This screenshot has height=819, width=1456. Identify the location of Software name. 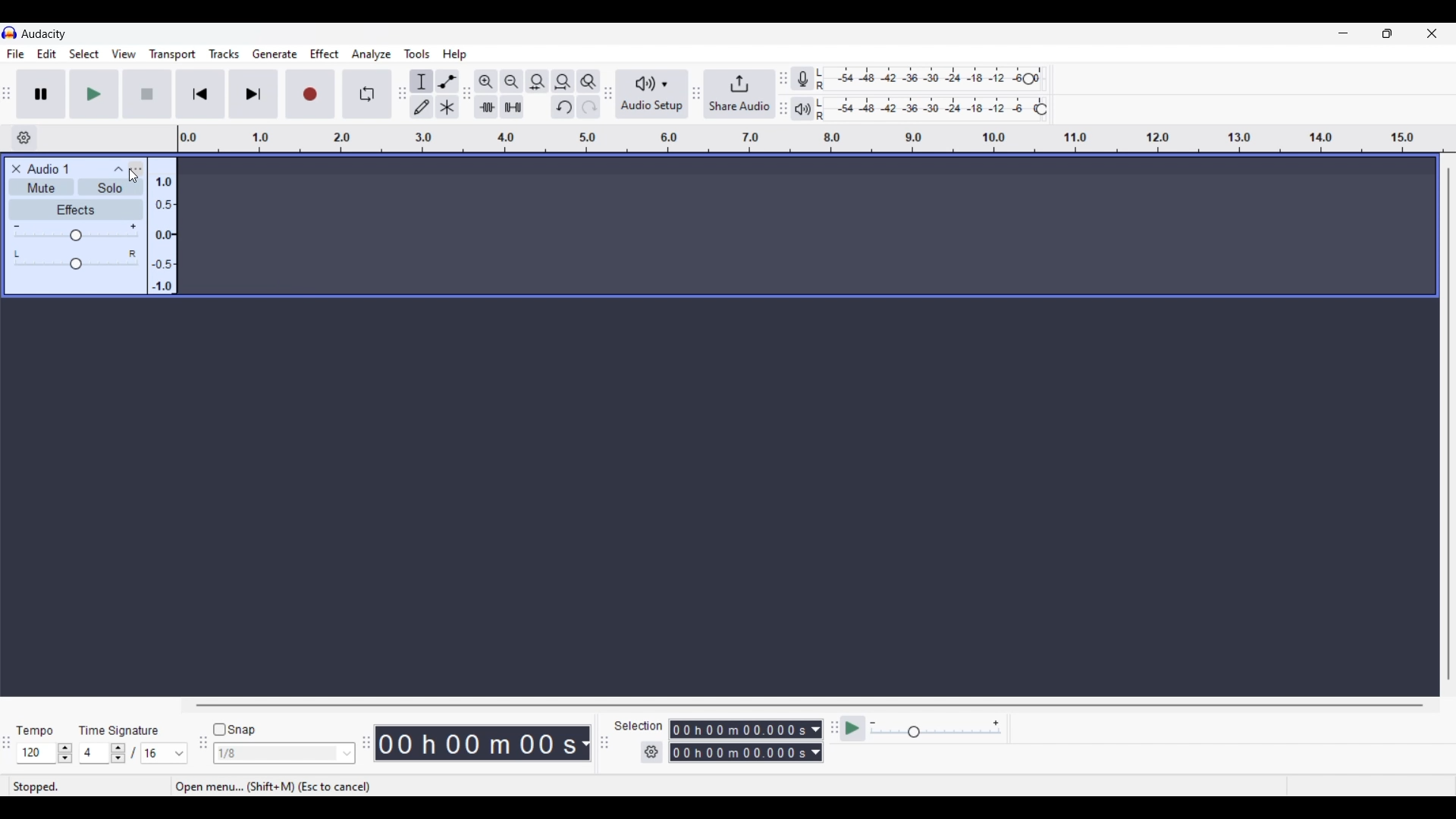
(44, 33).